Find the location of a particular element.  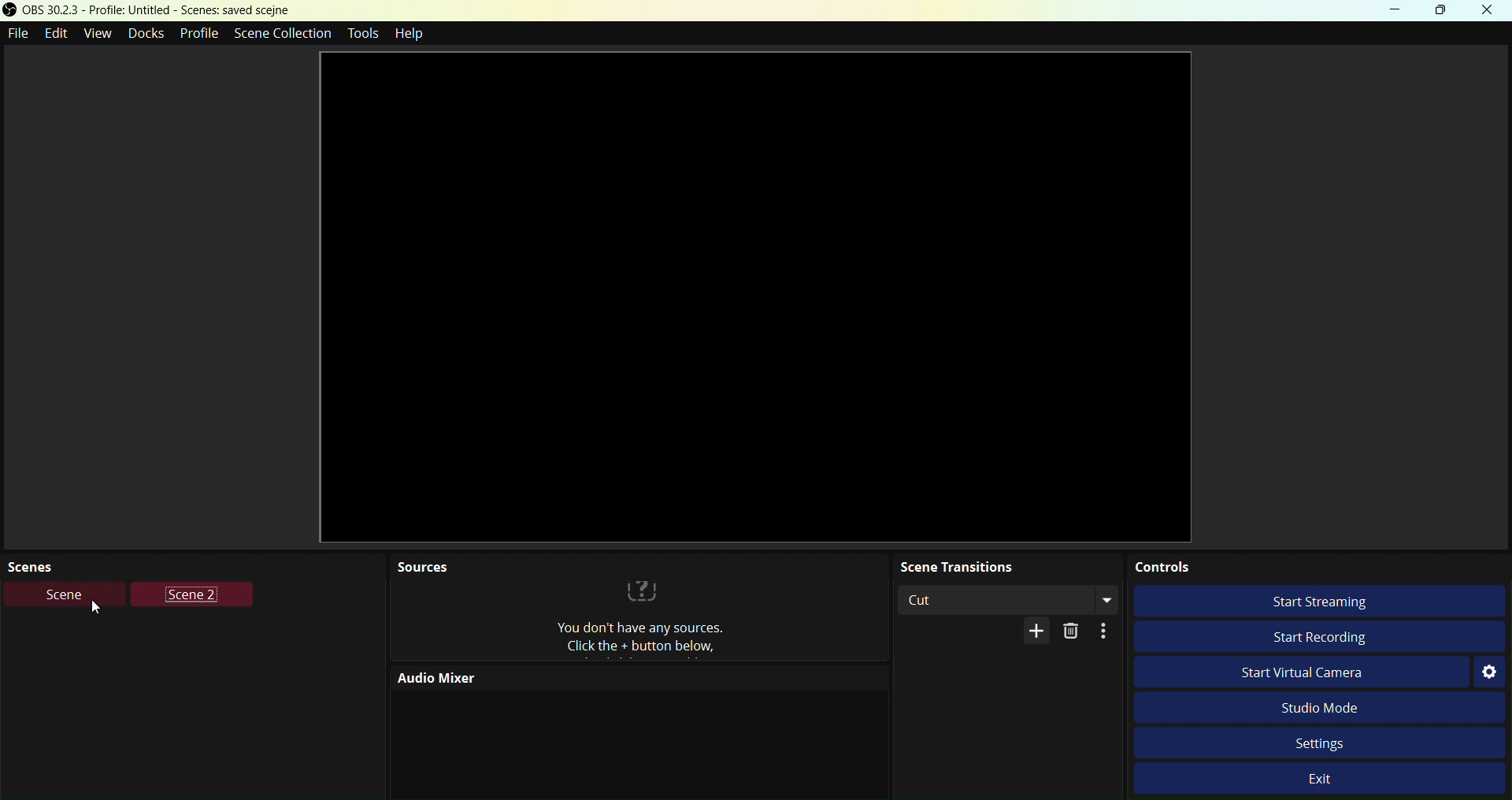

Delete is located at coordinates (1073, 632).